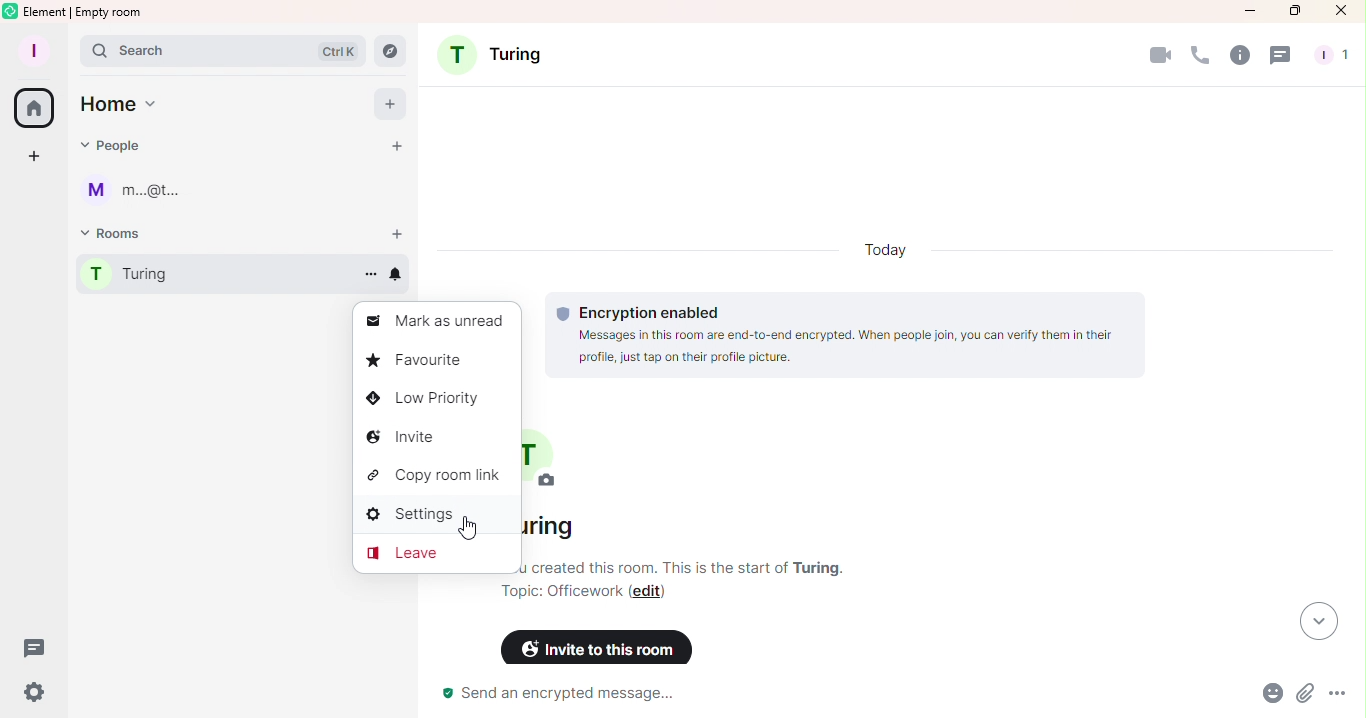 The height and width of the screenshot is (718, 1366). What do you see at coordinates (119, 232) in the screenshot?
I see `Rooms` at bounding box center [119, 232].